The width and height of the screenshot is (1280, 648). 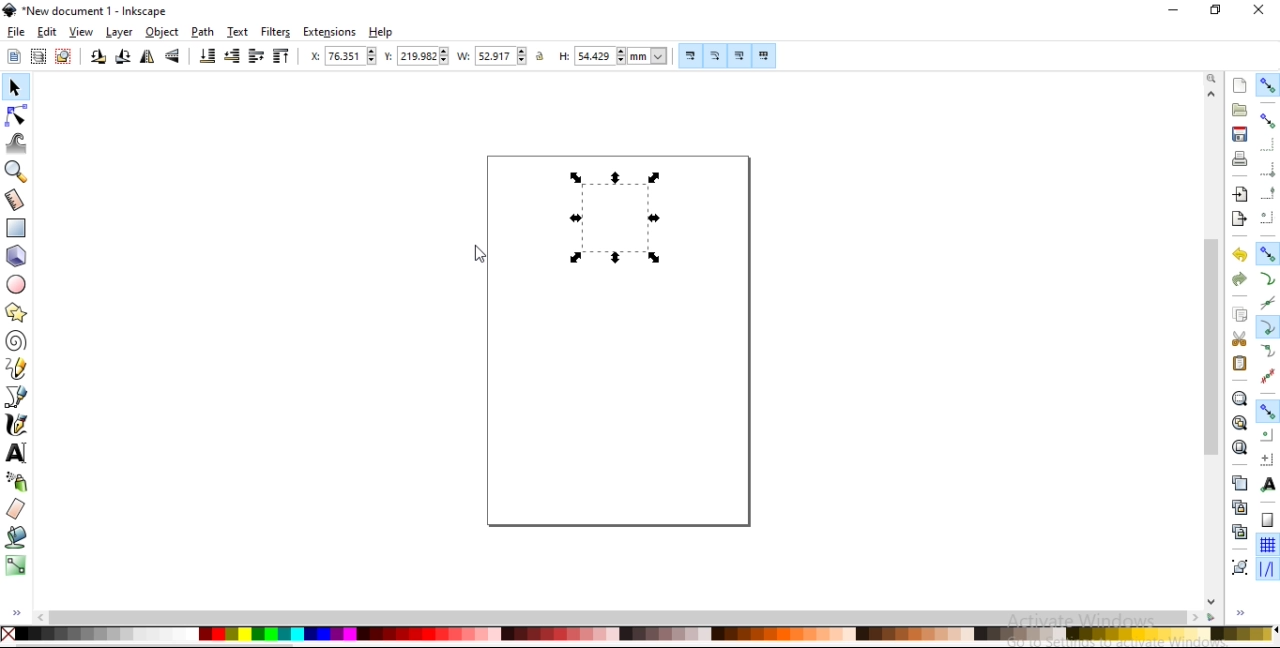 What do you see at coordinates (1267, 436) in the screenshot?
I see `snap centers of objects` at bounding box center [1267, 436].